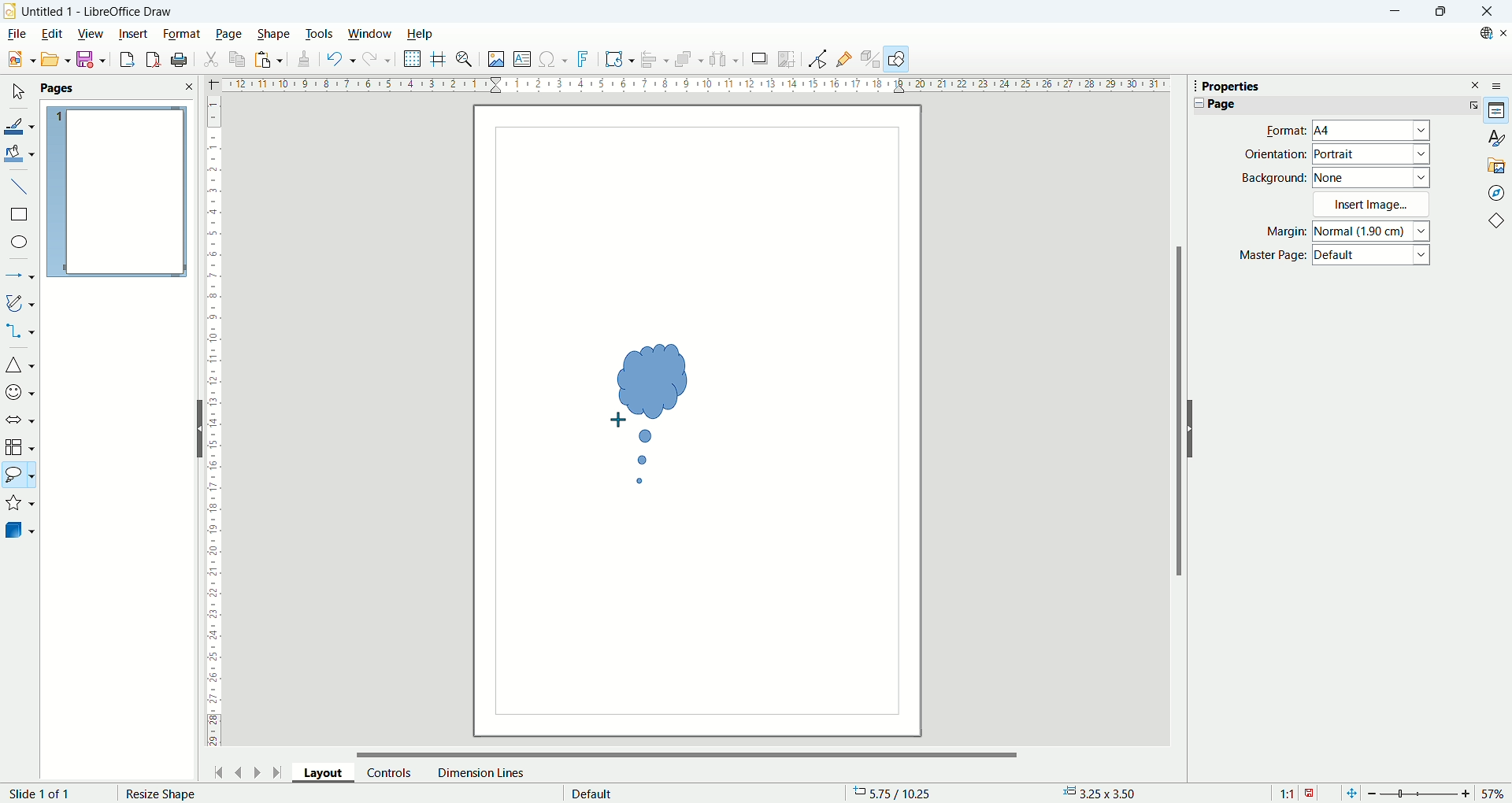  I want to click on Horizontal scroll bar, so click(688, 750).